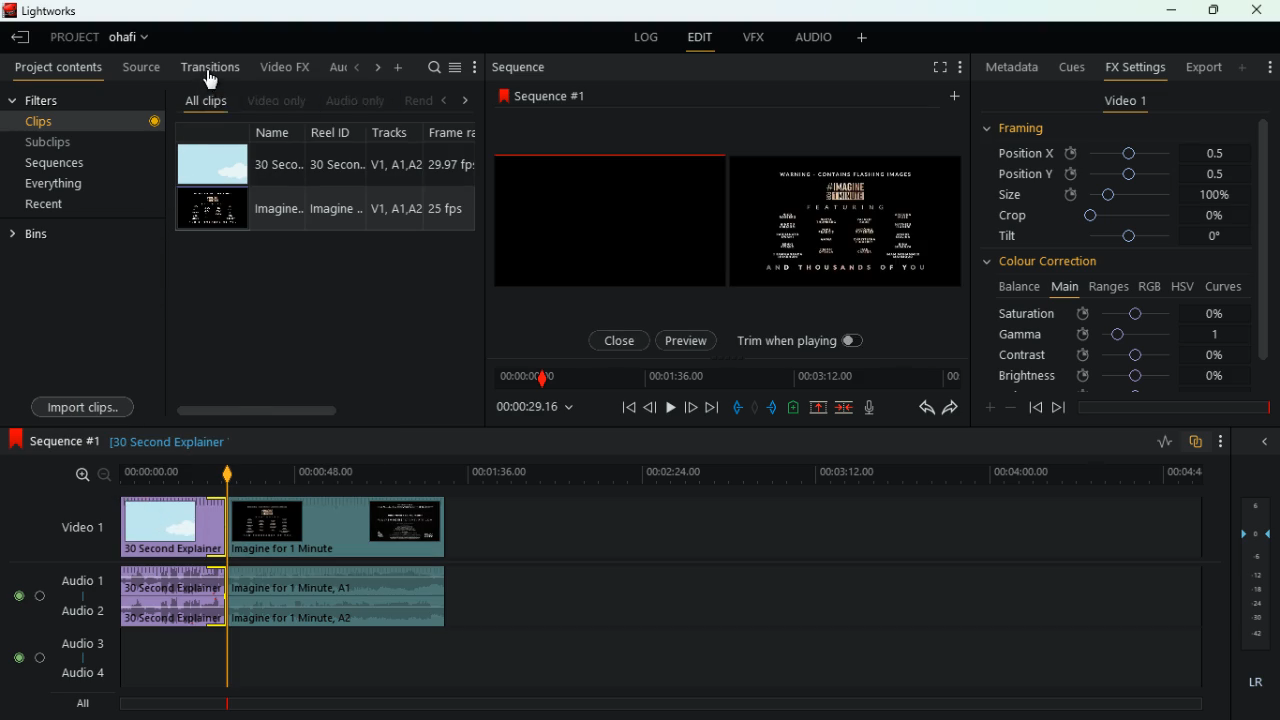  Describe the element at coordinates (1244, 67) in the screenshot. I see `more` at that location.